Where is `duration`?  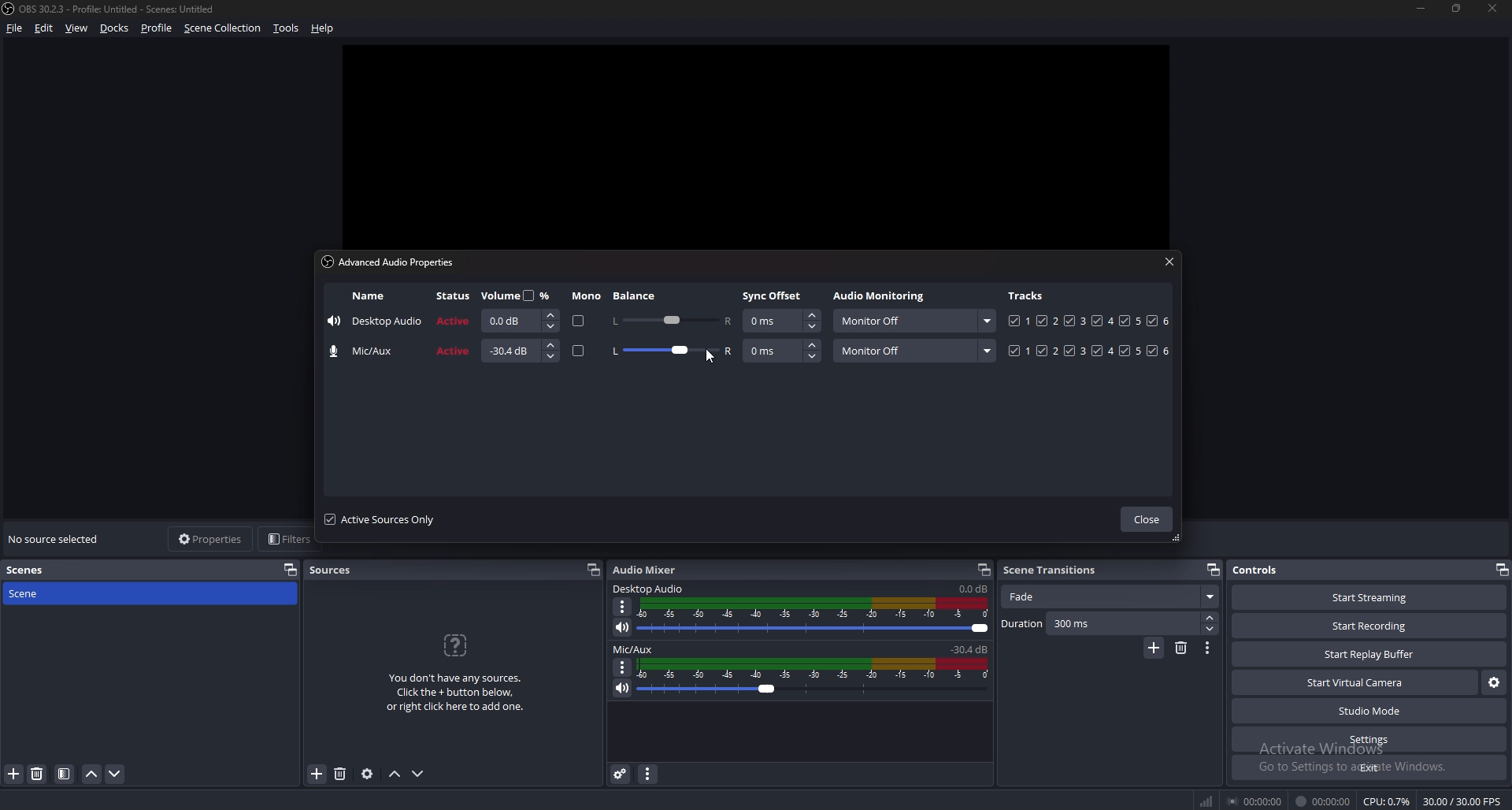 duration is located at coordinates (1102, 624).